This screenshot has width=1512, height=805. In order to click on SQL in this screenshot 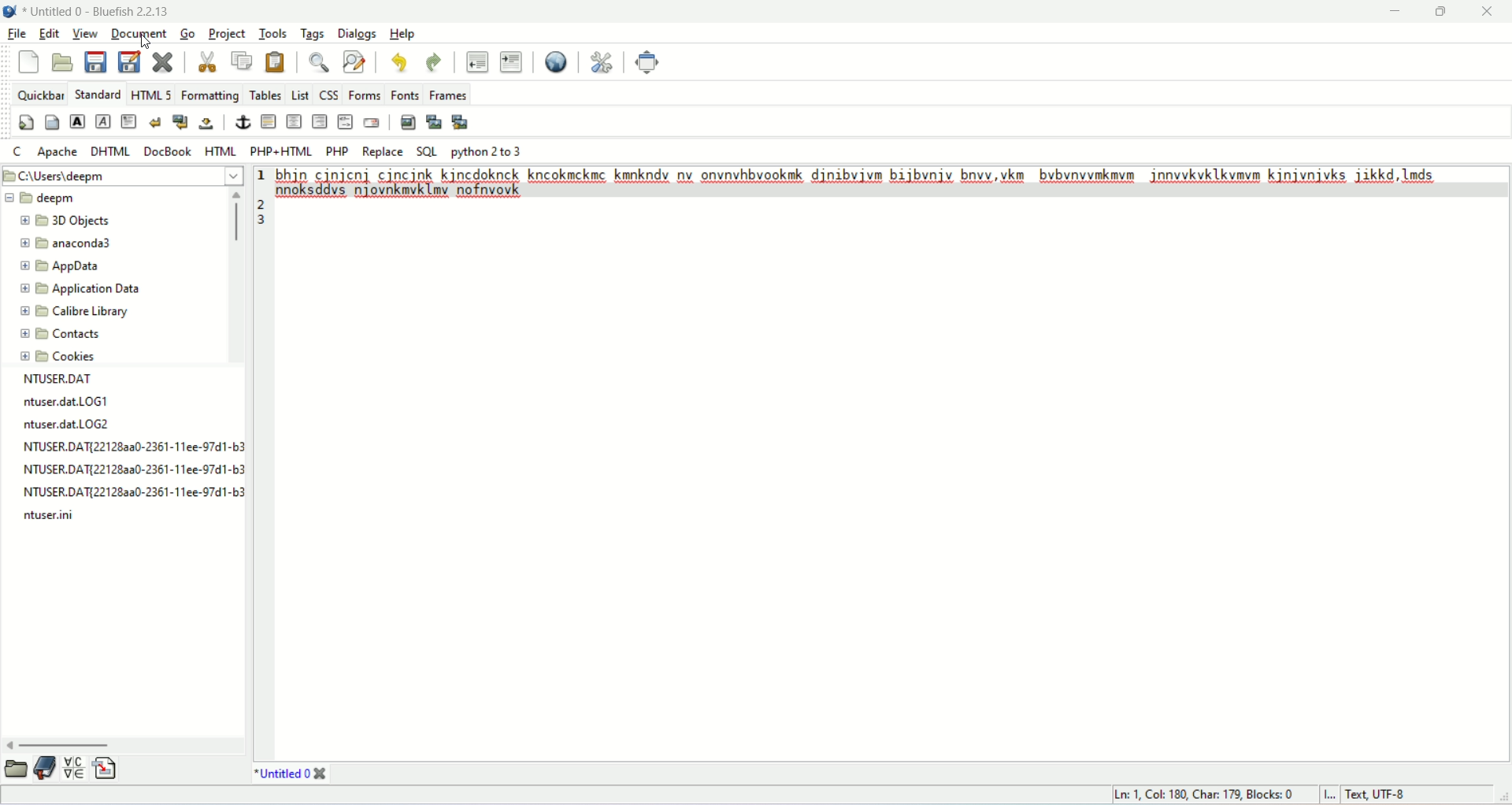, I will do `click(426, 152)`.